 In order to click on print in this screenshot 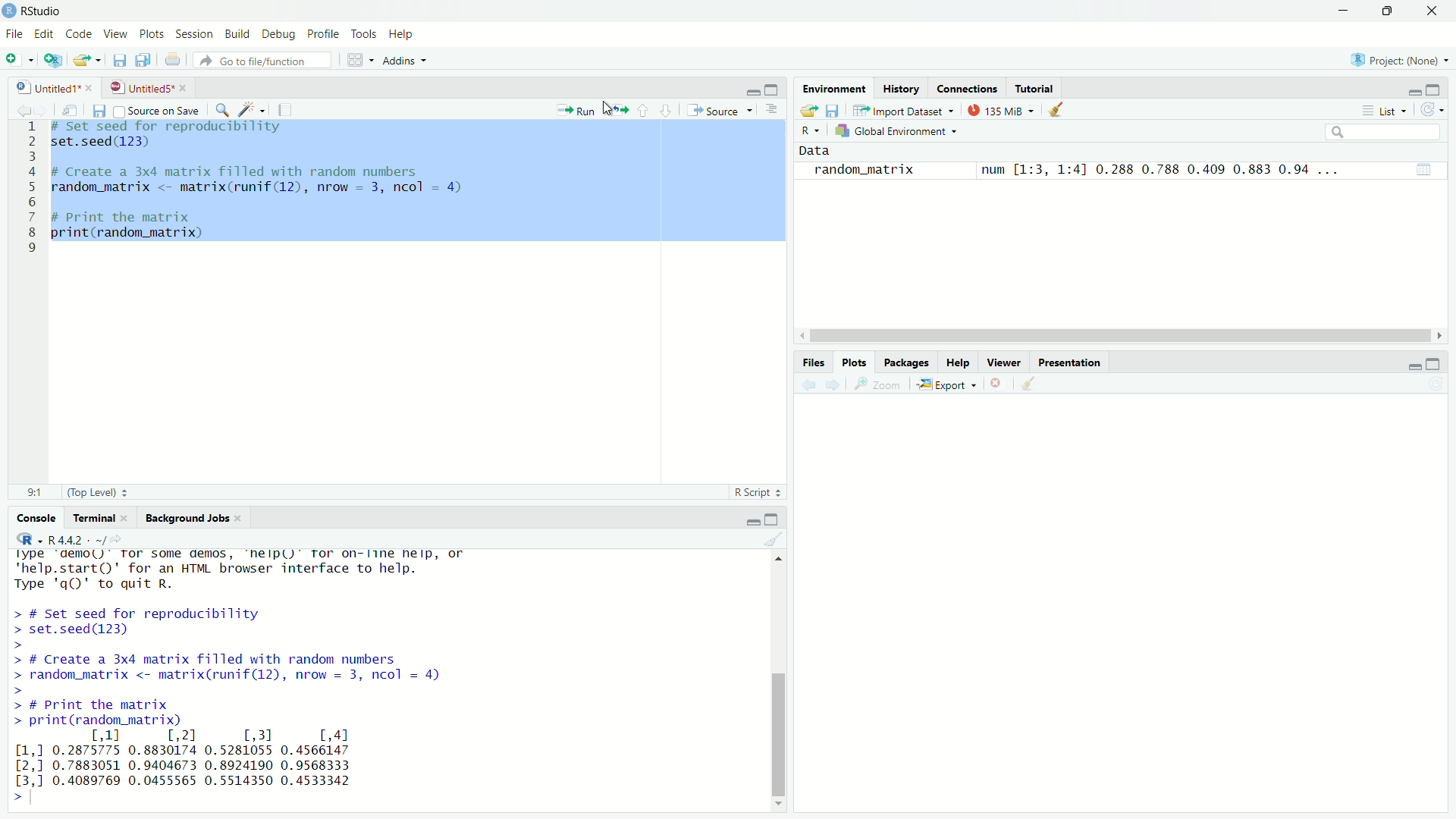, I will do `click(173, 59)`.